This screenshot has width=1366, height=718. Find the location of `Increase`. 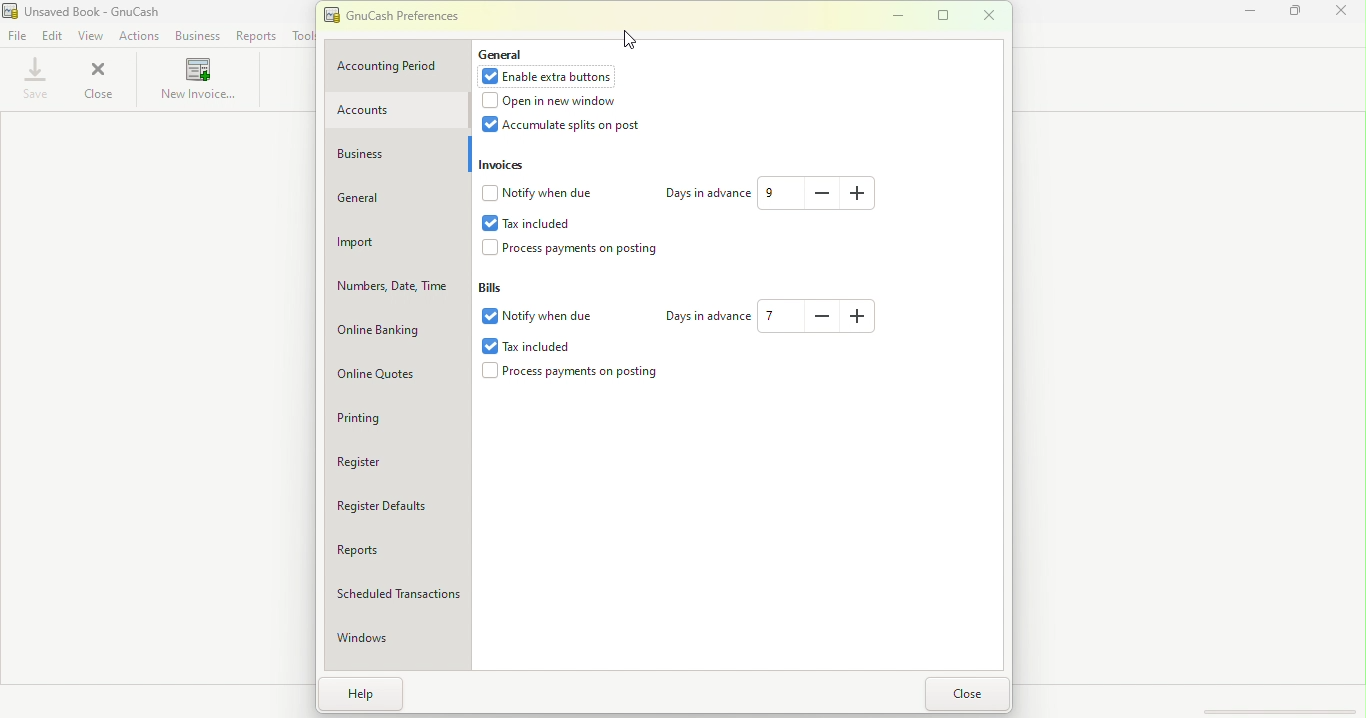

Increase is located at coordinates (860, 194).